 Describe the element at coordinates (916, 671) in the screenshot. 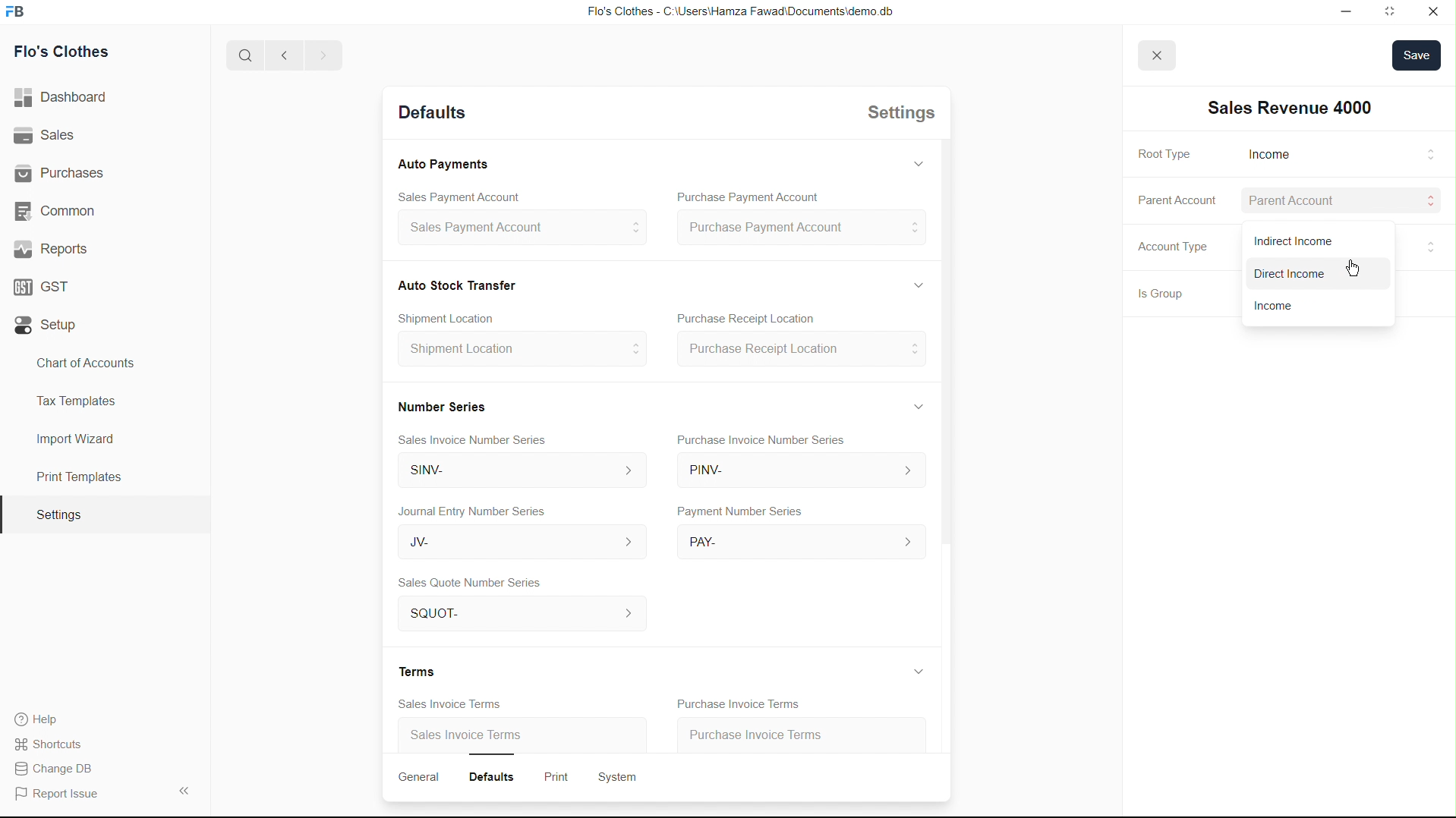

I see `Hide ` at that location.